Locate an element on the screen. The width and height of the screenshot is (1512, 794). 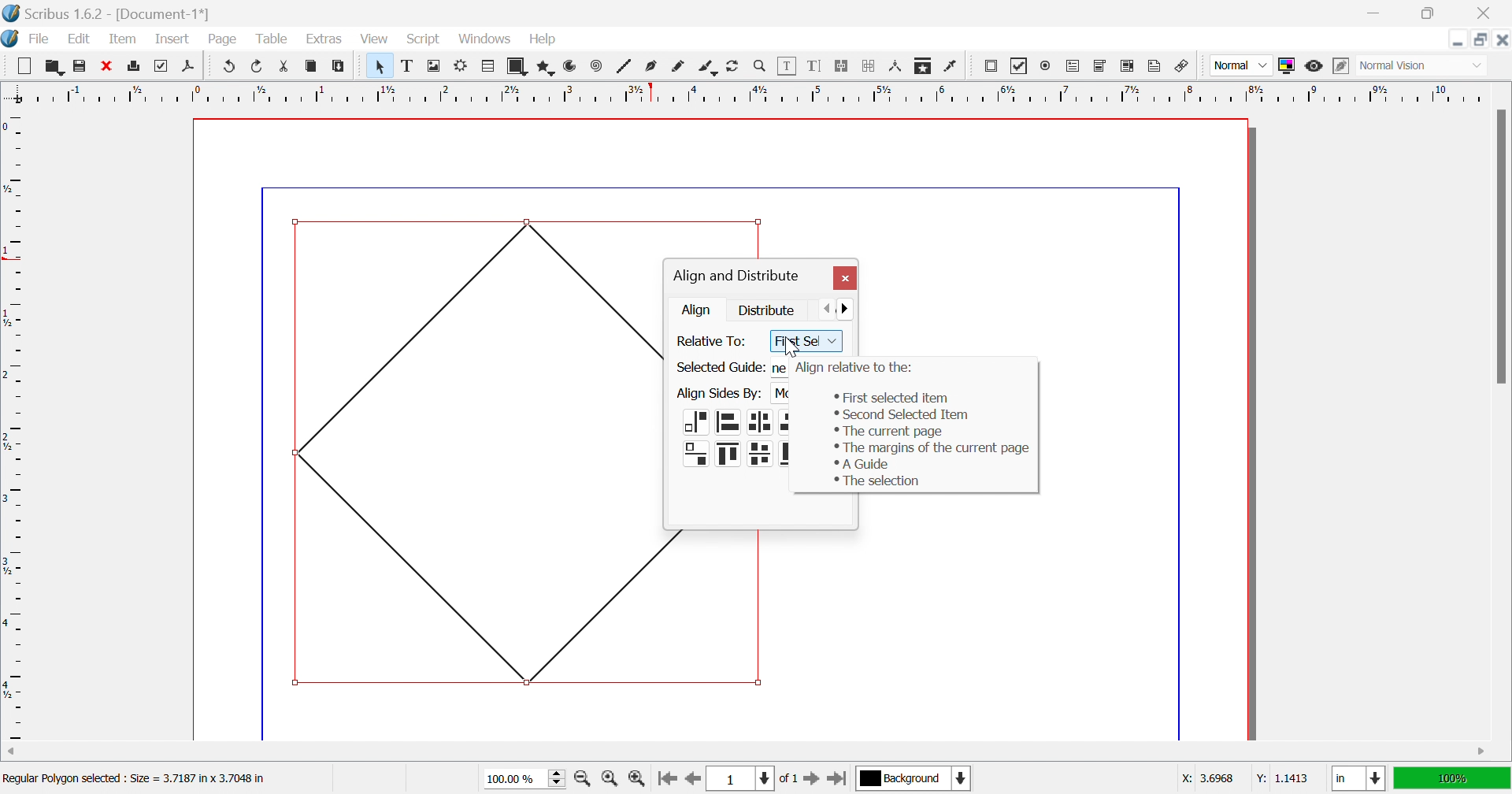
PDF radio button is located at coordinates (1048, 64).